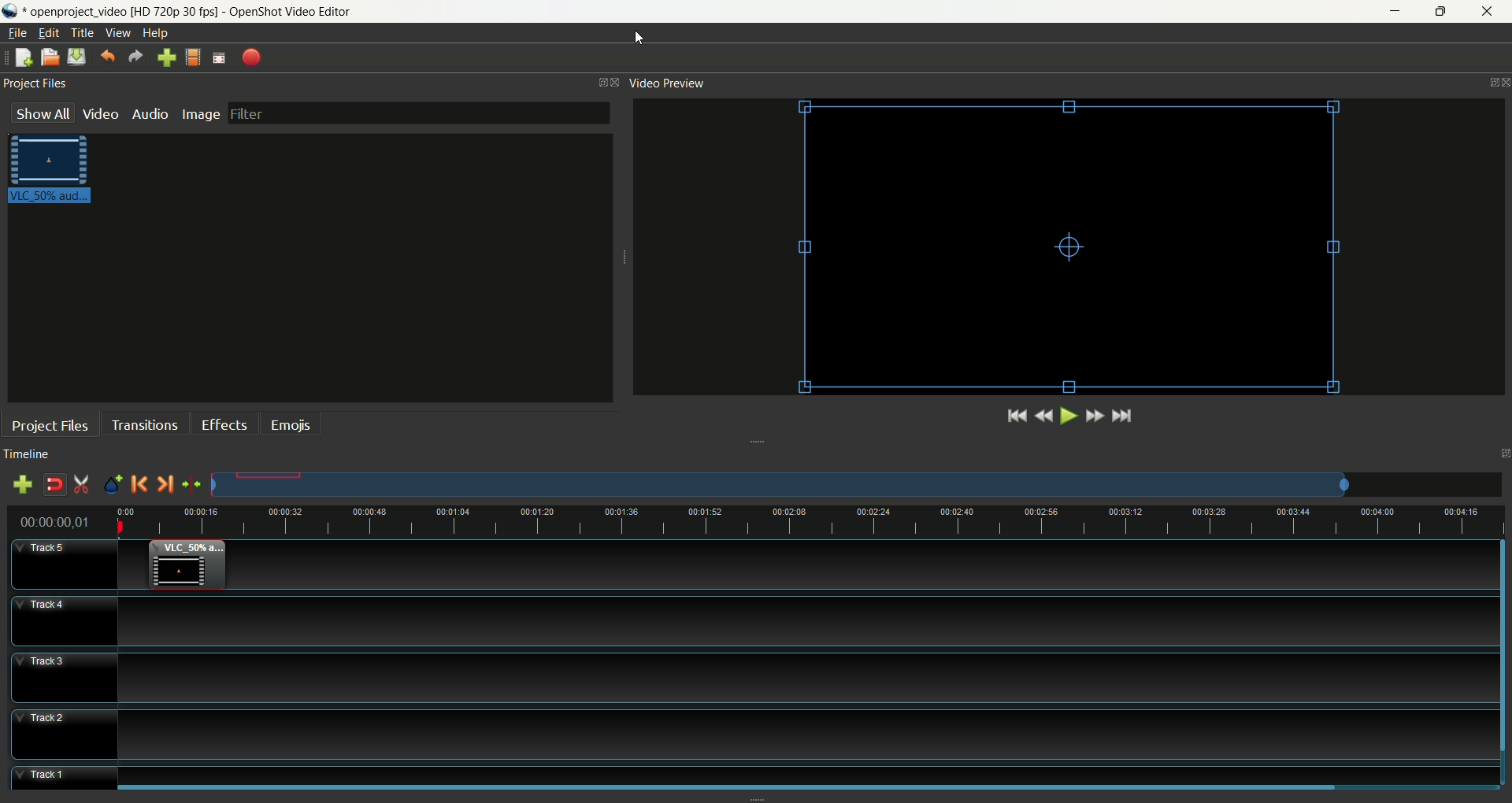 The image size is (1512, 803). What do you see at coordinates (1121, 417) in the screenshot?
I see `jump to end` at bounding box center [1121, 417].